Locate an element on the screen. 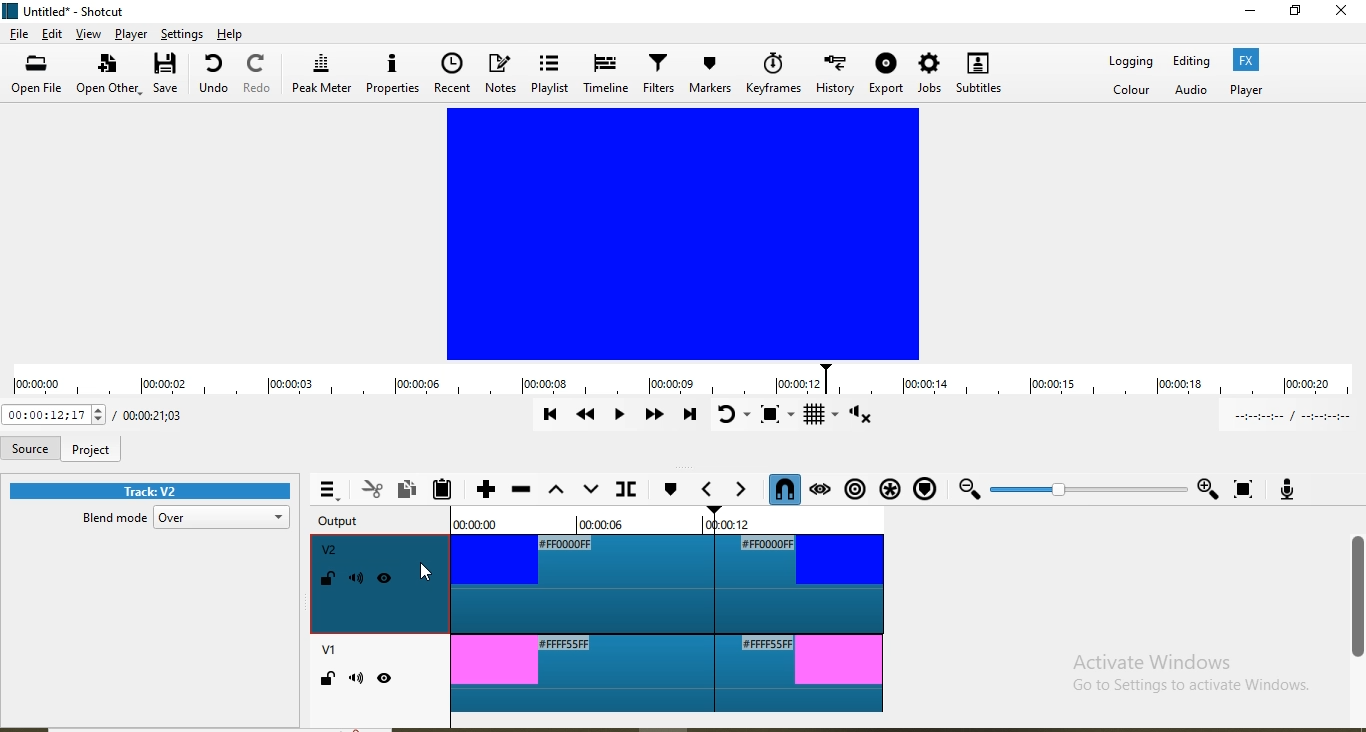 This screenshot has height=732, width=1366. overwrite is located at coordinates (593, 492).